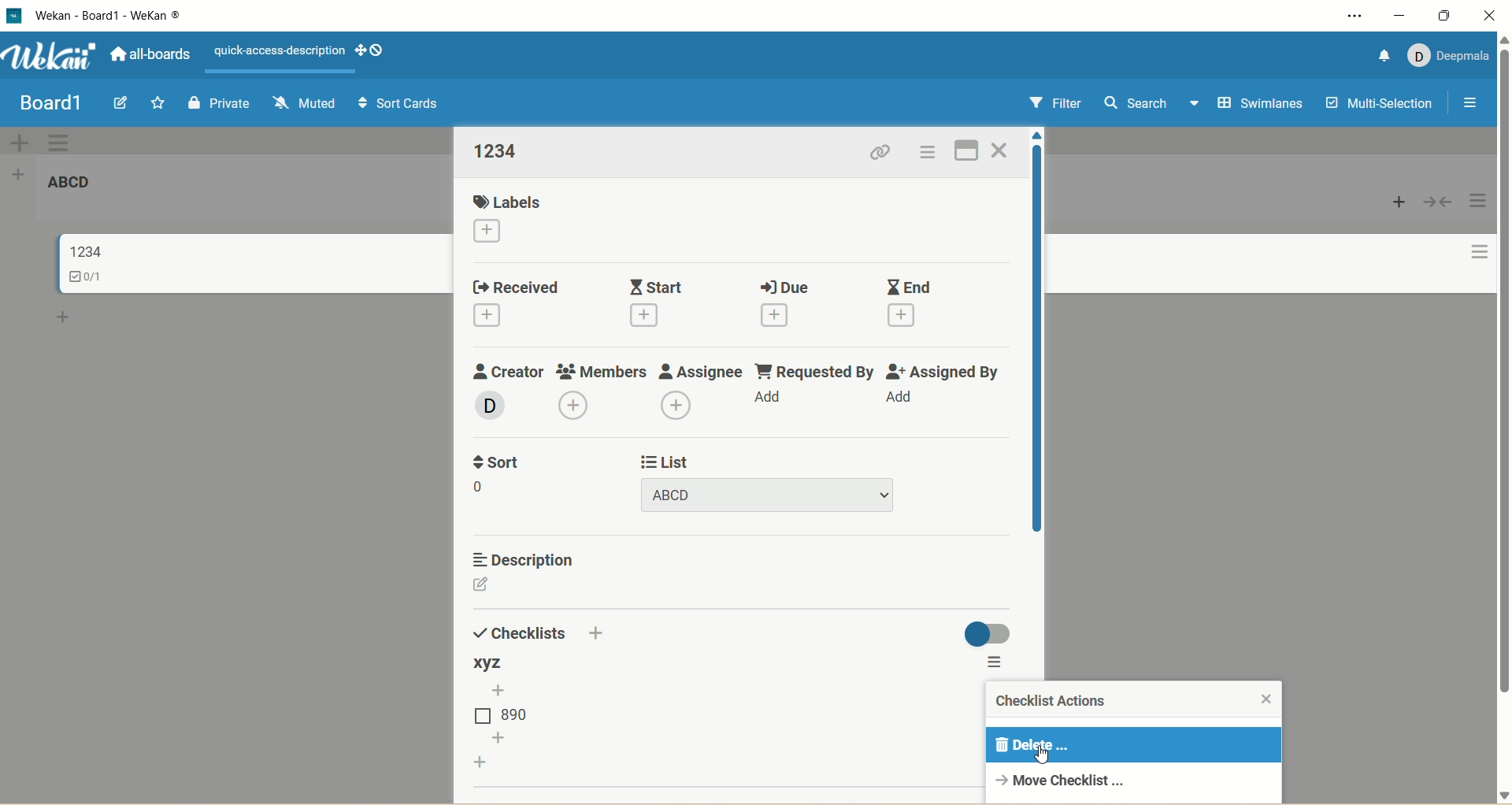 The width and height of the screenshot is (1512, 805). What do you see at coordinates (1051, 704) in the screenshot?
I see `checklist actions` at bounding box center [1051, 704].